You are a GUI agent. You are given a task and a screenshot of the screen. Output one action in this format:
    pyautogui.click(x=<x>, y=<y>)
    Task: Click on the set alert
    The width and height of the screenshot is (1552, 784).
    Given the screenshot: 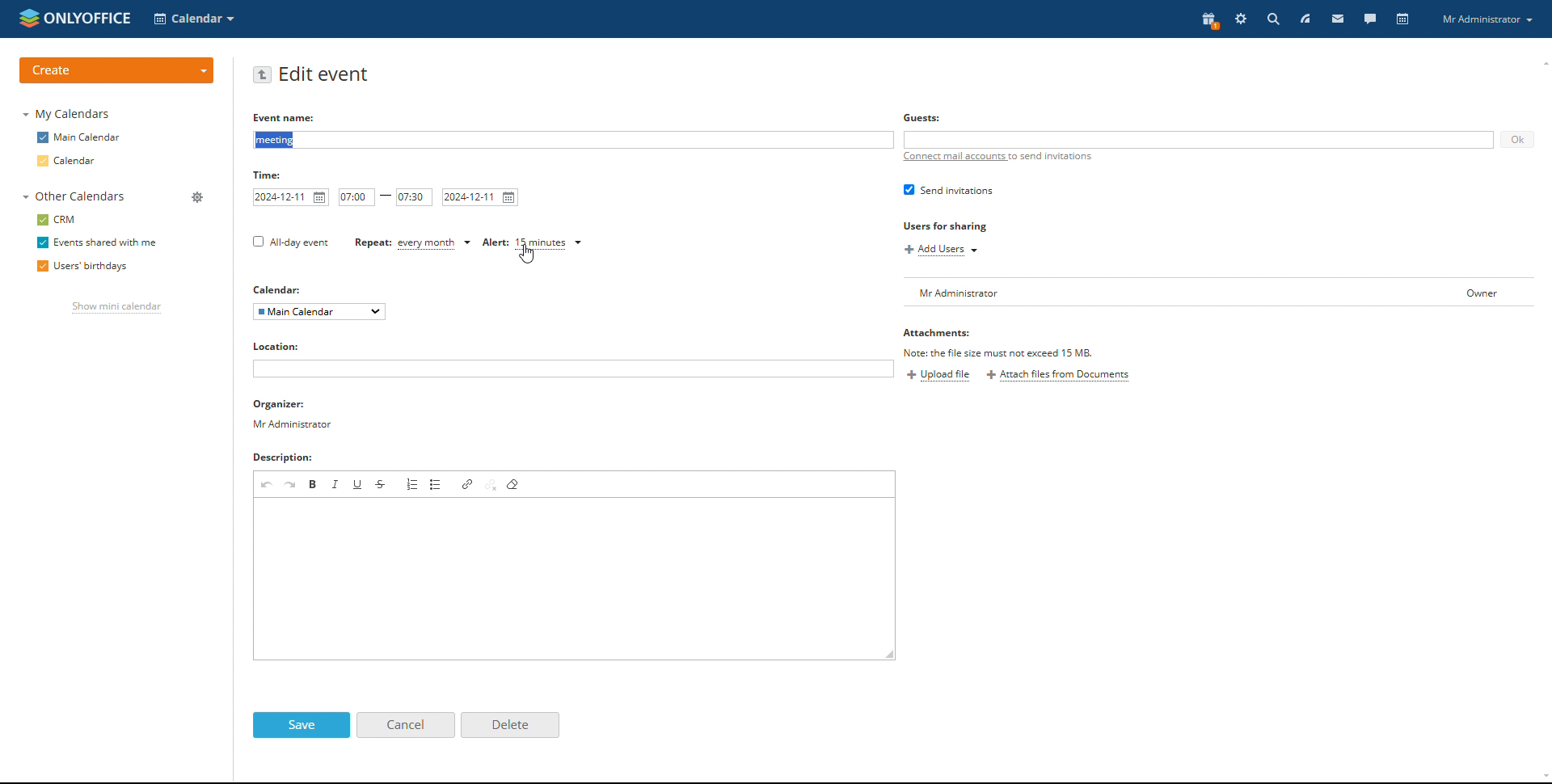 What is the action you would take?
    pyautogui.click(x=532, y=244)
    